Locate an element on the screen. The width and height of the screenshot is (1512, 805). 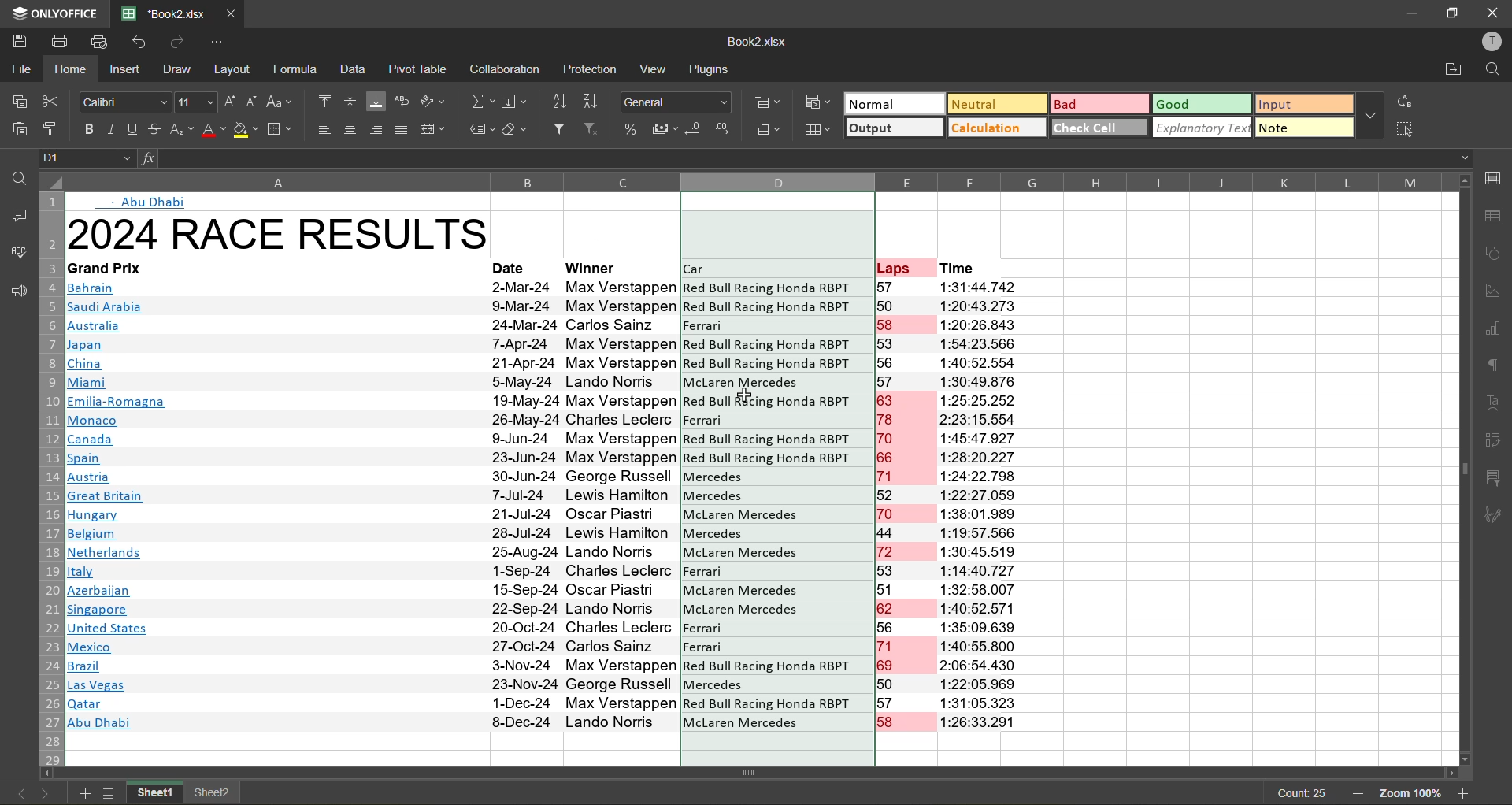
Bl Austria 30-Jun-24 George Russell Mercedes 71 1:24:22.798 is located at coordinates (543, 476).